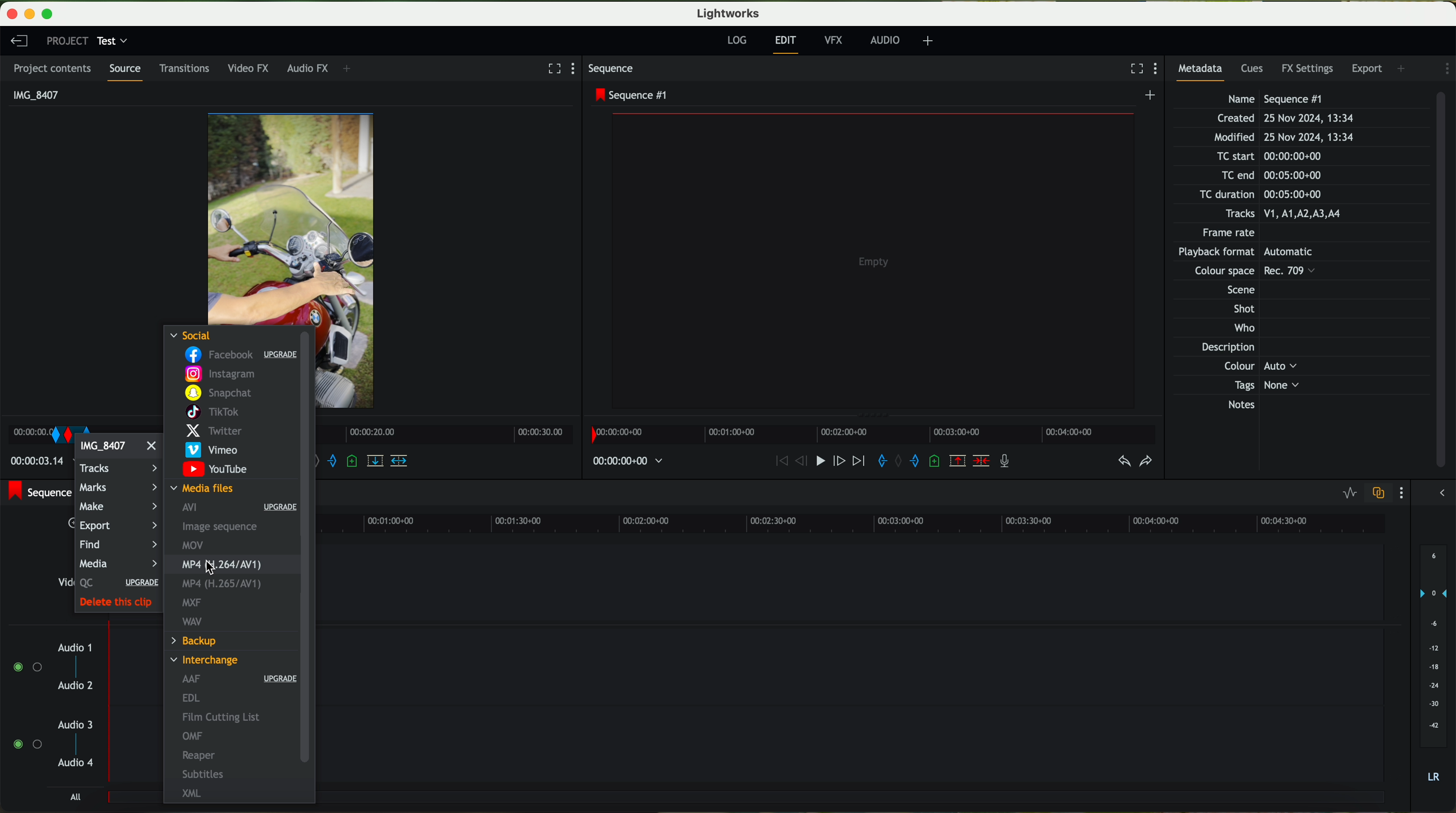  I want to click on cues, so click(1254, 70).